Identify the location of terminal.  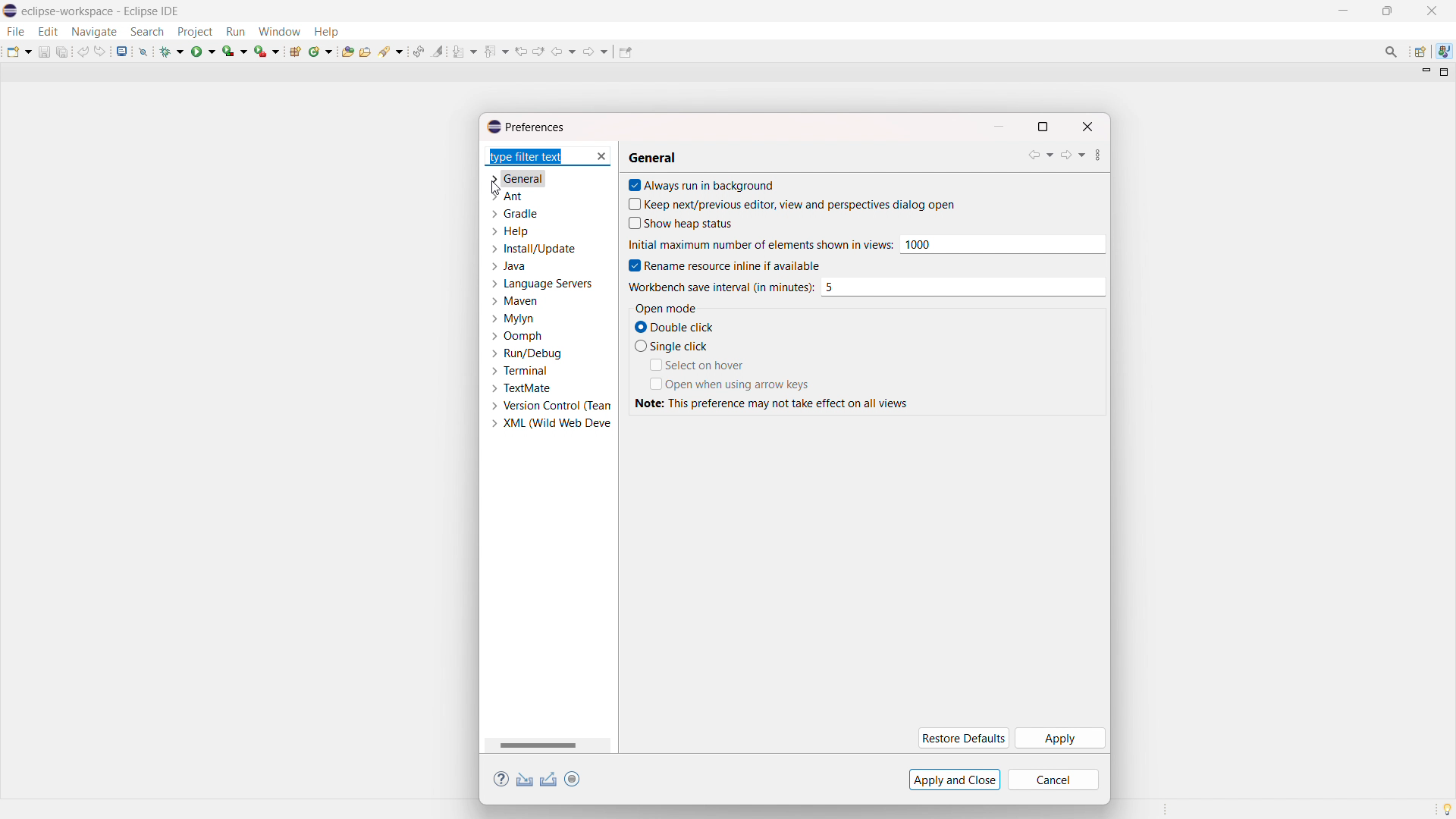
(519, 370).